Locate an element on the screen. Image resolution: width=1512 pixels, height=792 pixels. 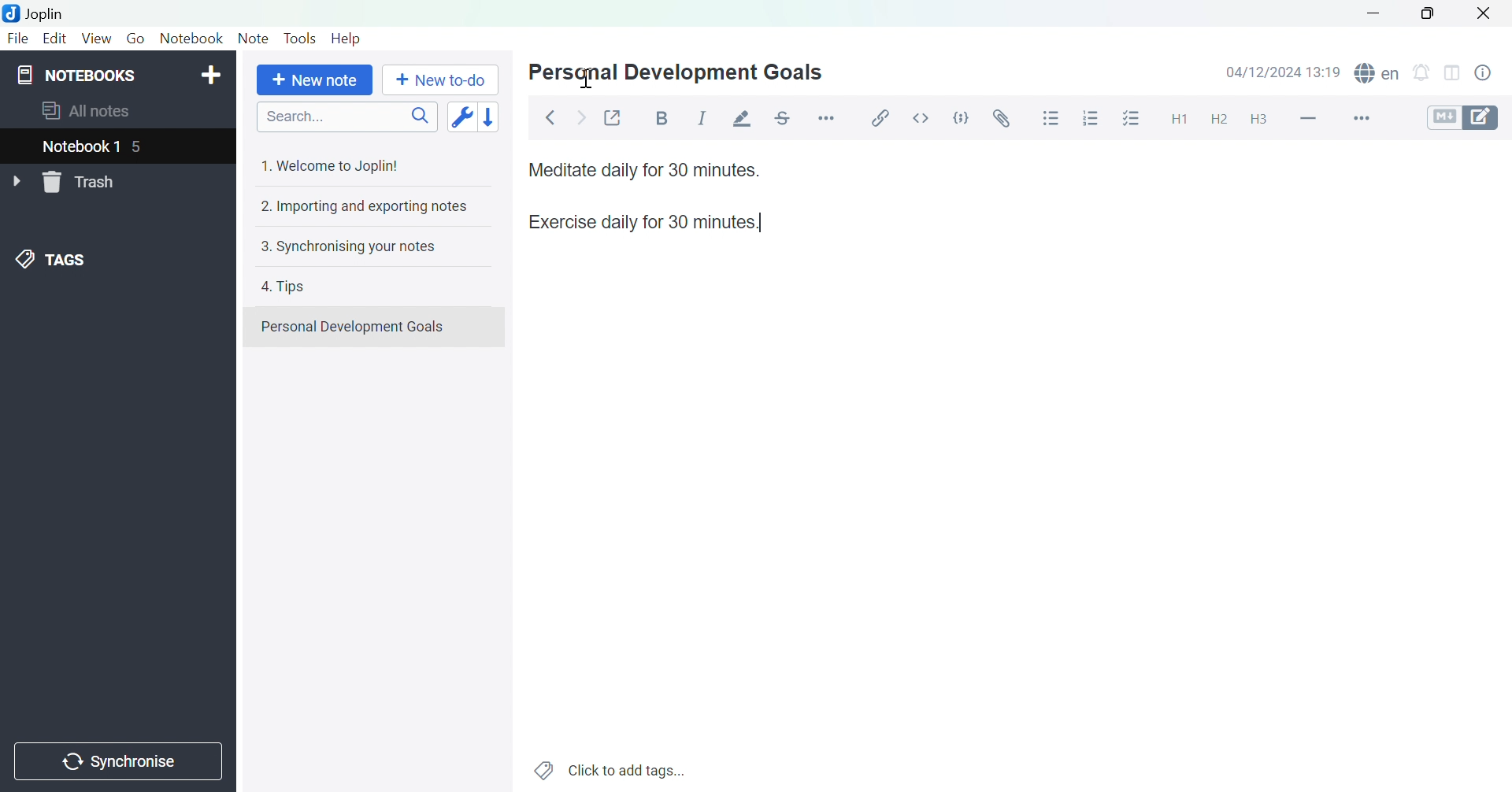
Notebook is located at coordinates (193, 41).